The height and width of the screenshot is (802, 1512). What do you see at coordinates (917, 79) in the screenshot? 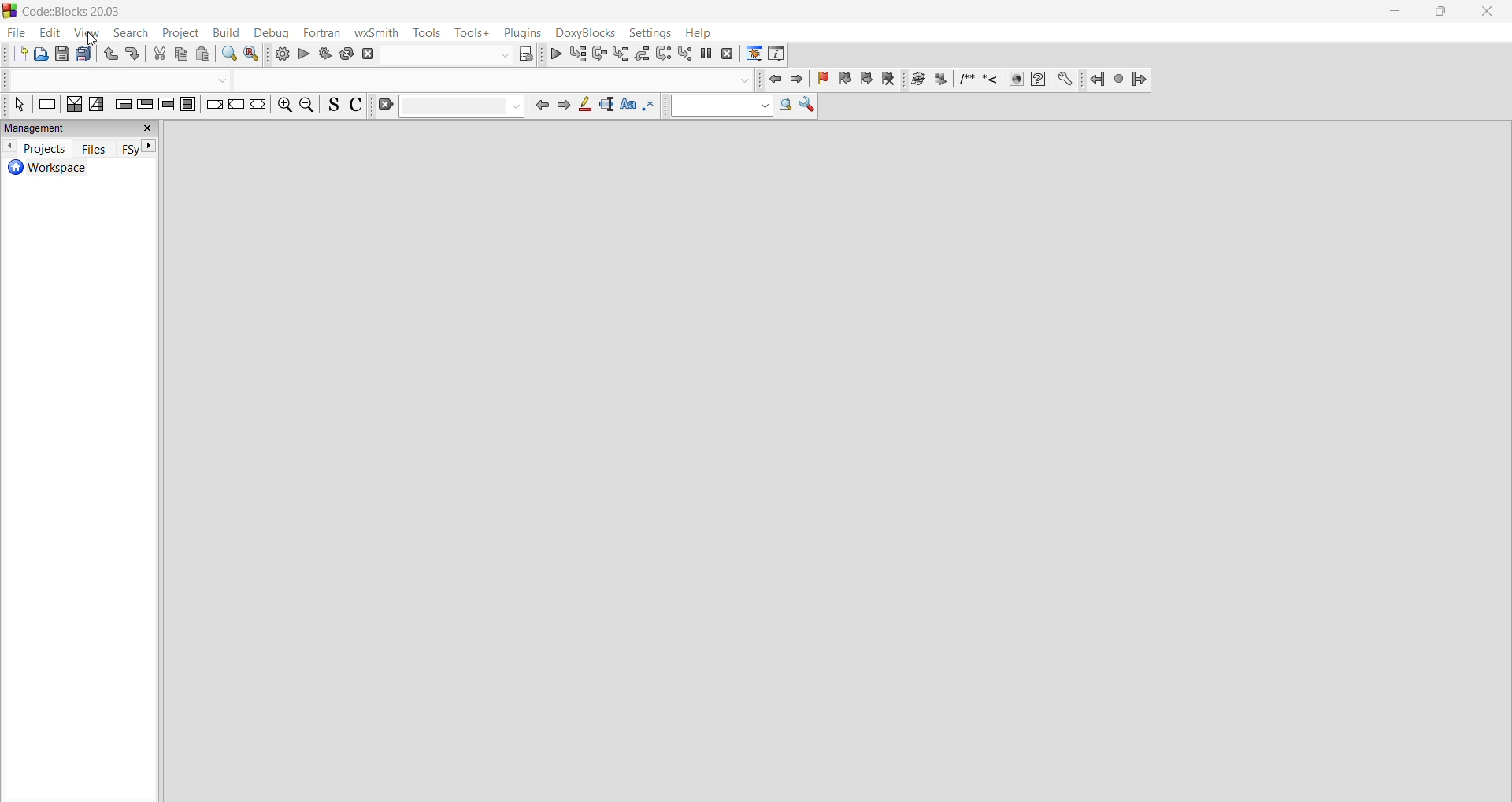
I see `Run doxywizard` at bounding box center [917, 79].